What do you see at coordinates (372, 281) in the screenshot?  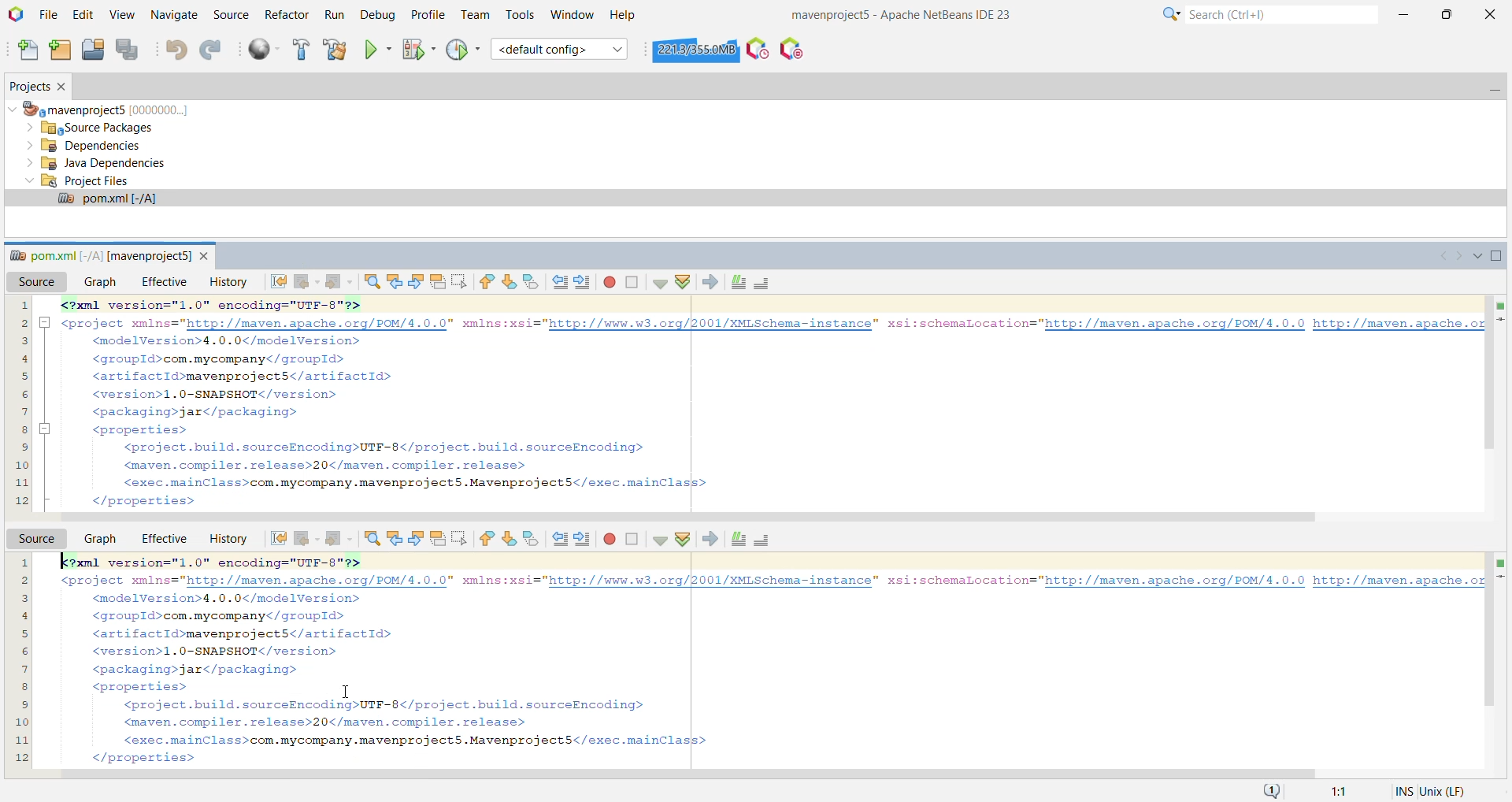 I see `Find selection` at bounding box center [372, 281].